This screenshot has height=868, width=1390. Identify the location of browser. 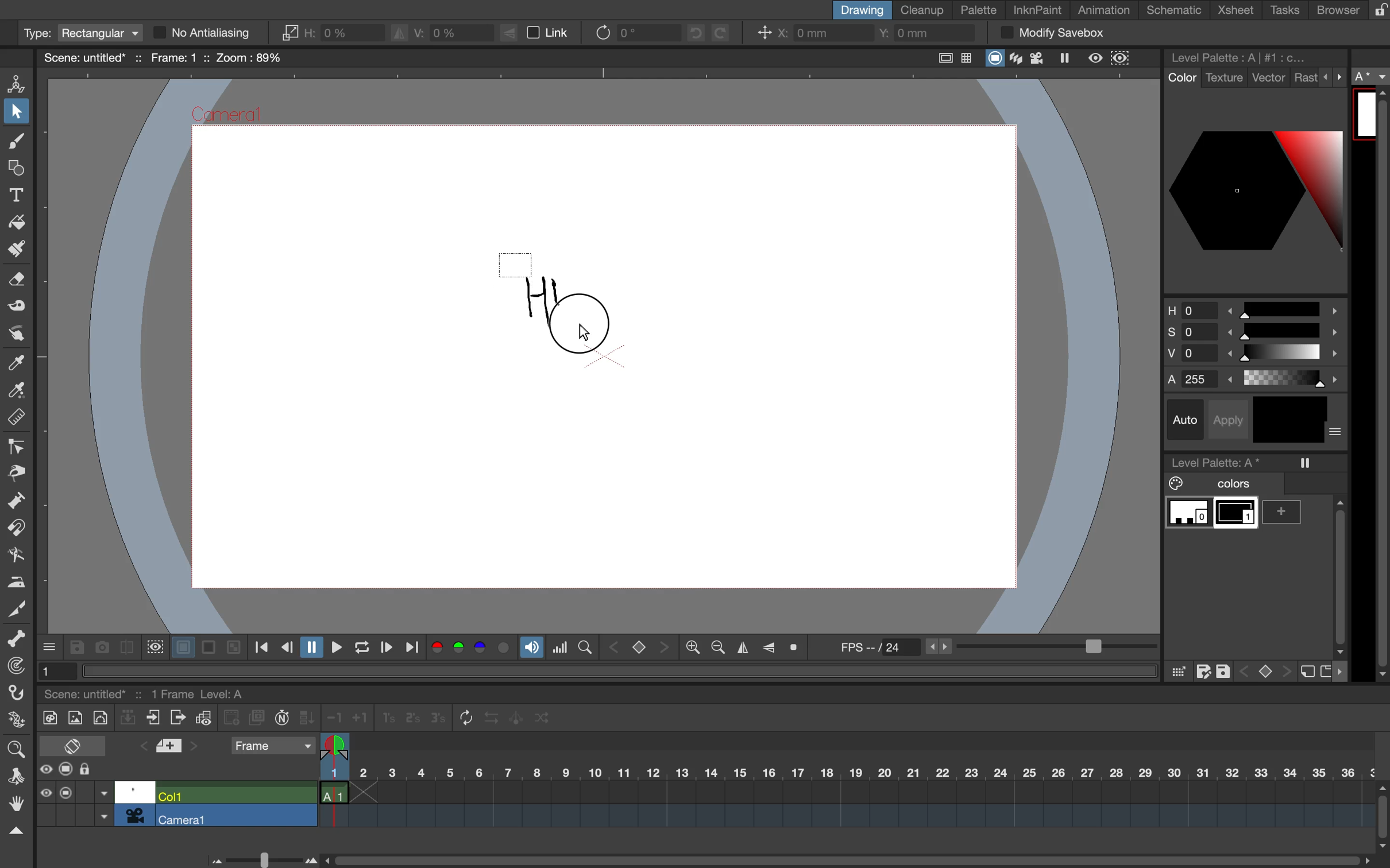
(1330, 9).